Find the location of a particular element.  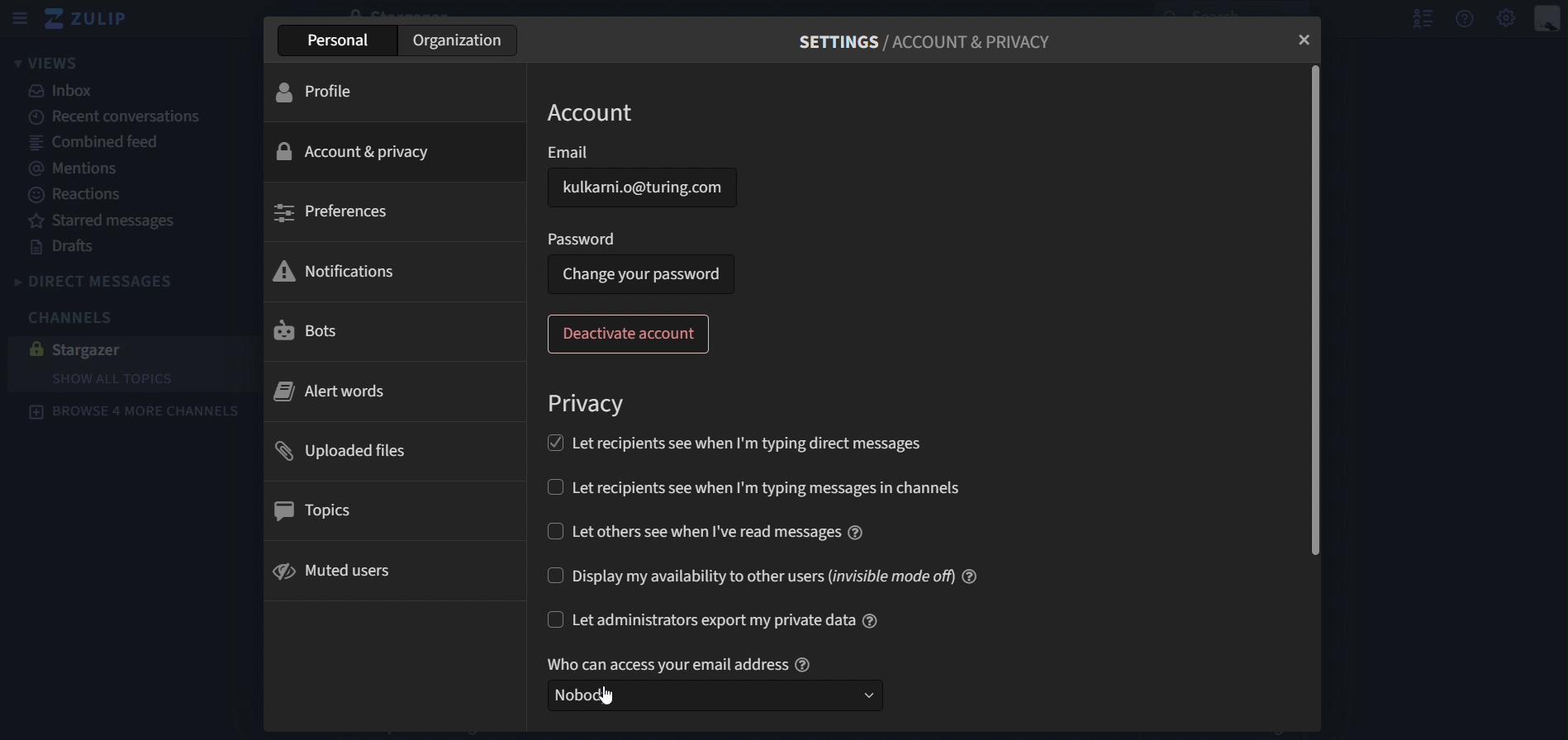

profile is located at coordinates (316, 95).